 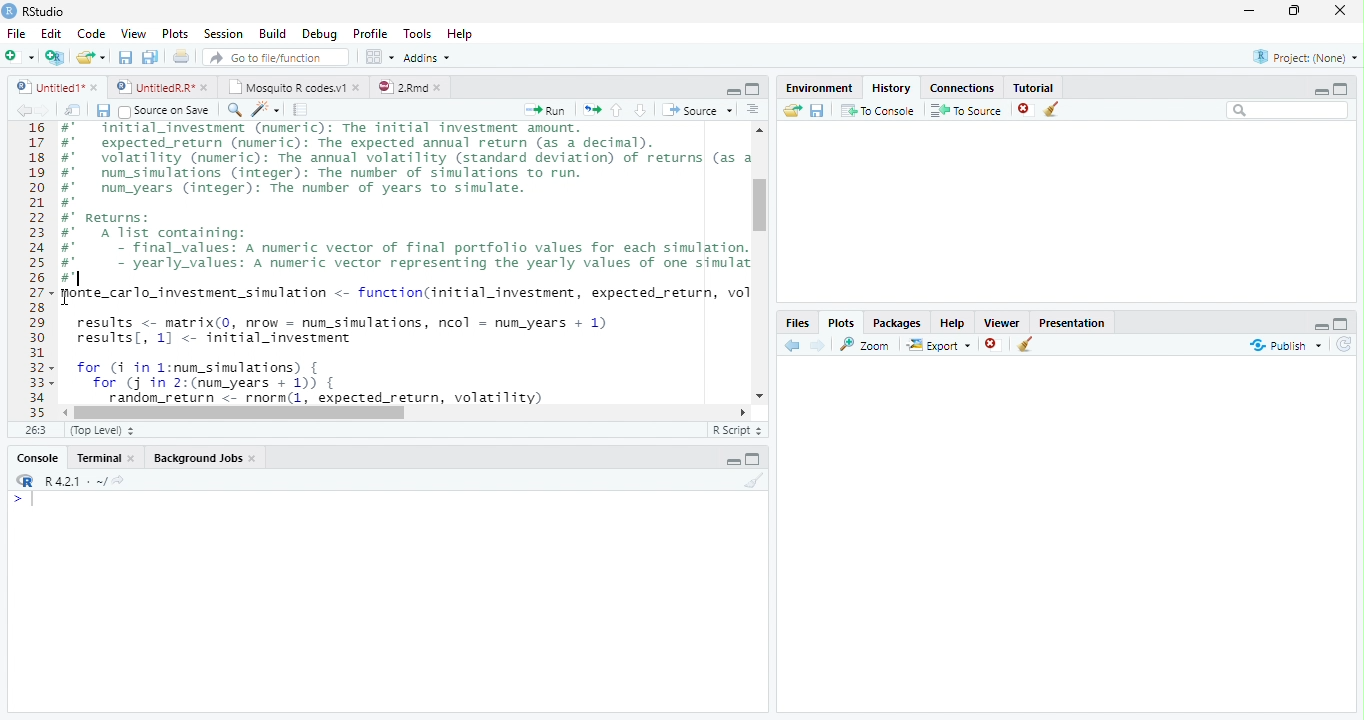 What do you see at coordinates (732, 461) in the screenshot?
I see `Hide` at bounding box center [732, 461].